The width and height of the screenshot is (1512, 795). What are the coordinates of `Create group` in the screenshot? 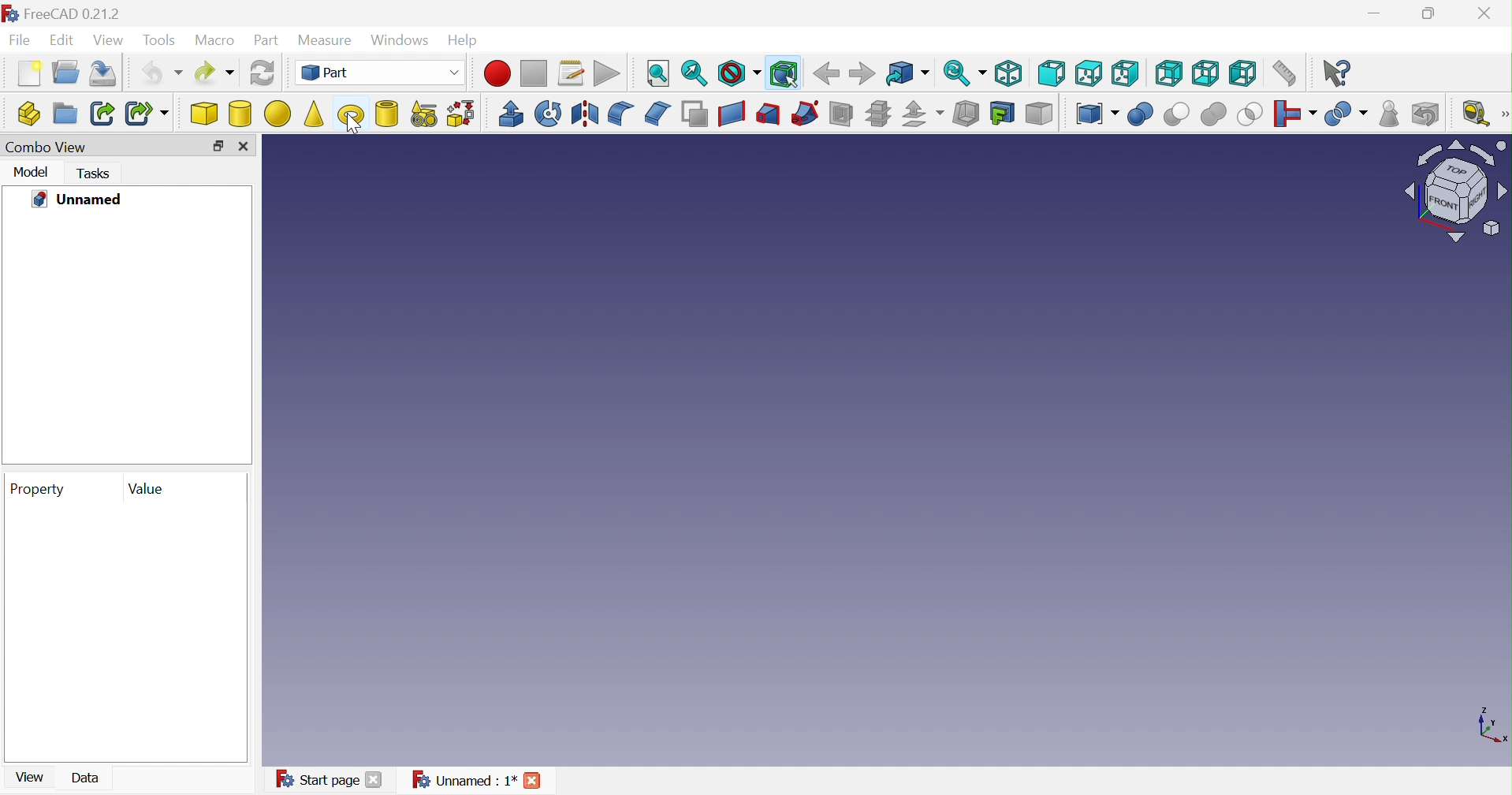 It's located at (65, 114).